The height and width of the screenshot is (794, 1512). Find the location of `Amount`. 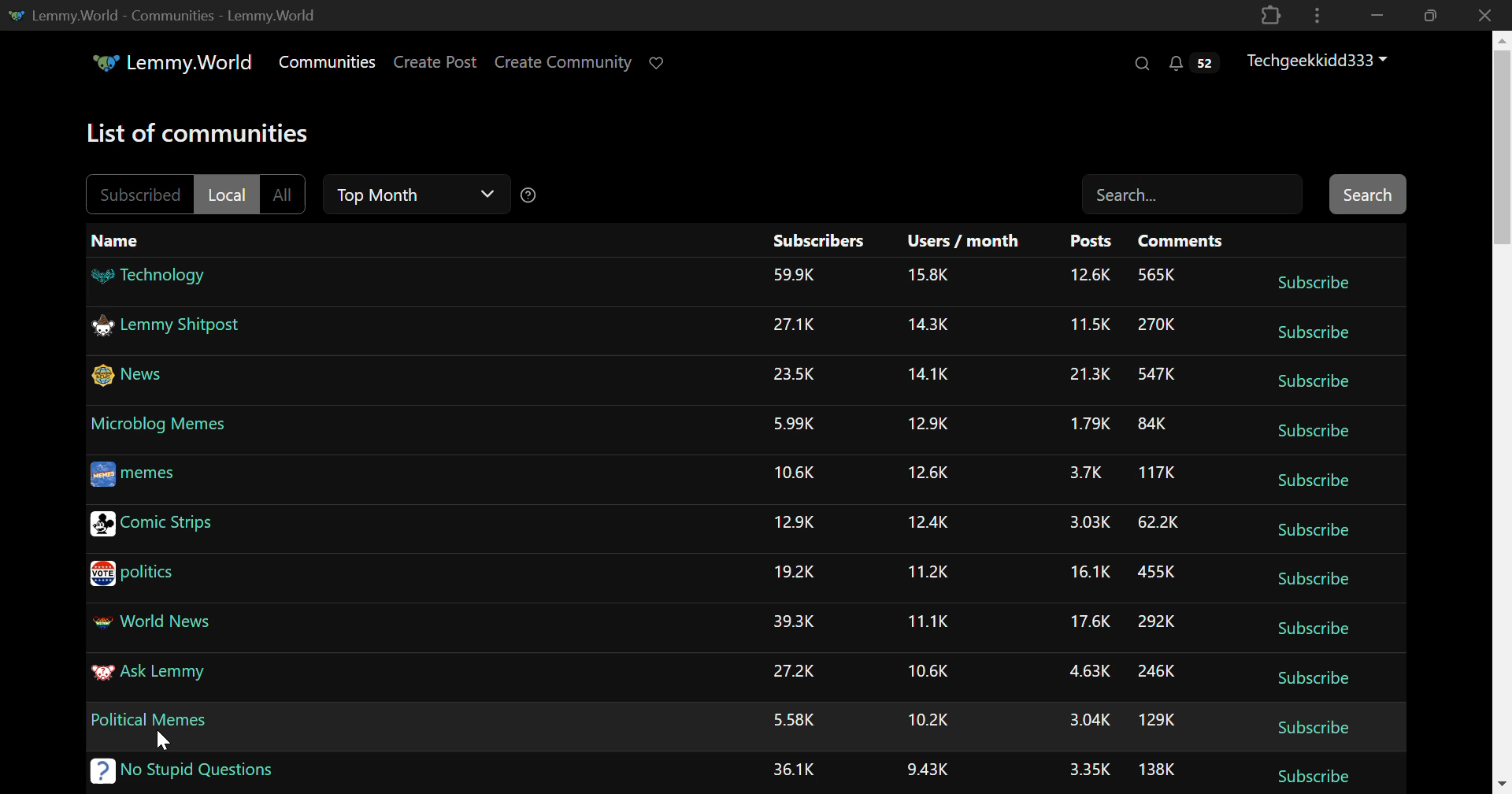

Amount is located at coordinates (795, 375).